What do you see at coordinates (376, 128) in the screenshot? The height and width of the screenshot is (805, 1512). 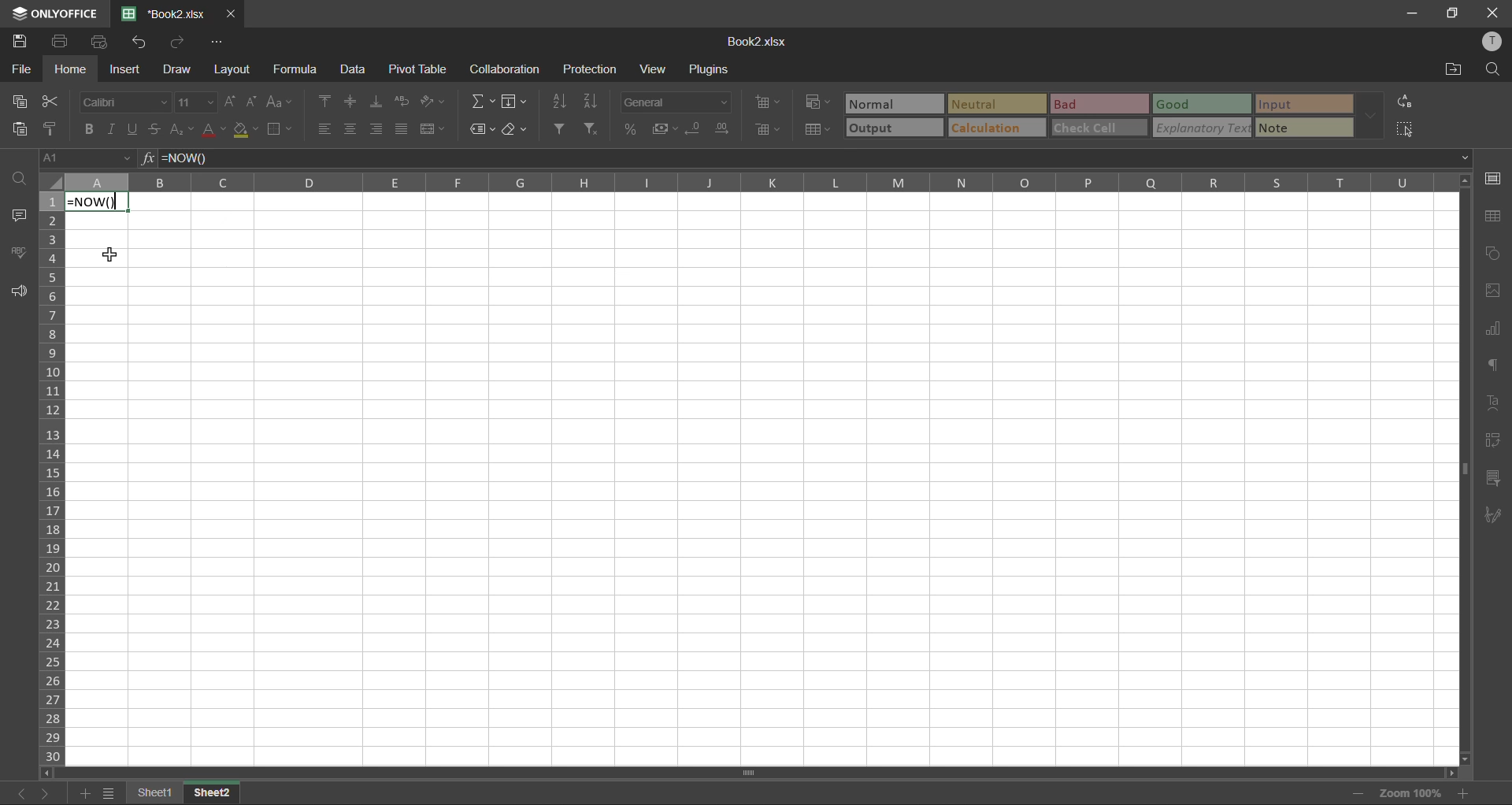 I see `align right` at bounding box center [376, 128].